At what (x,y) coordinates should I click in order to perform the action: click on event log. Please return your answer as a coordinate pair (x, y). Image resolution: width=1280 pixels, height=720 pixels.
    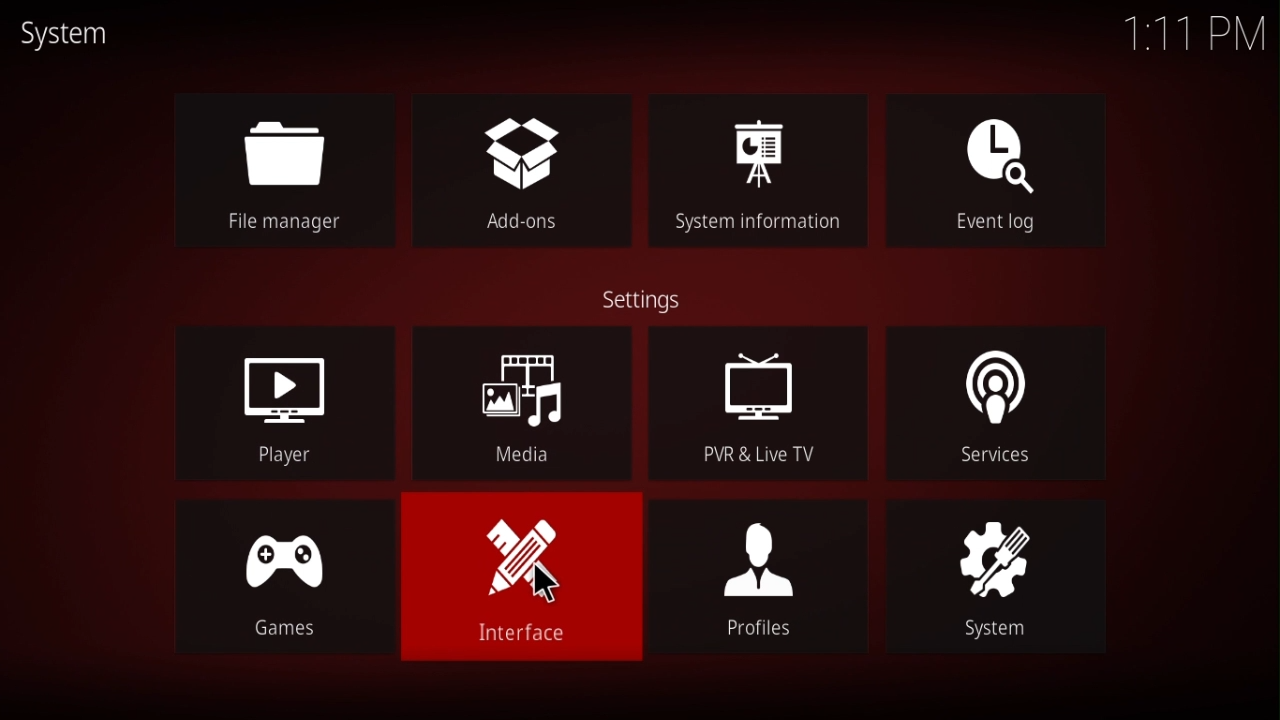
    Looking at the image, I should click on (986, 171).